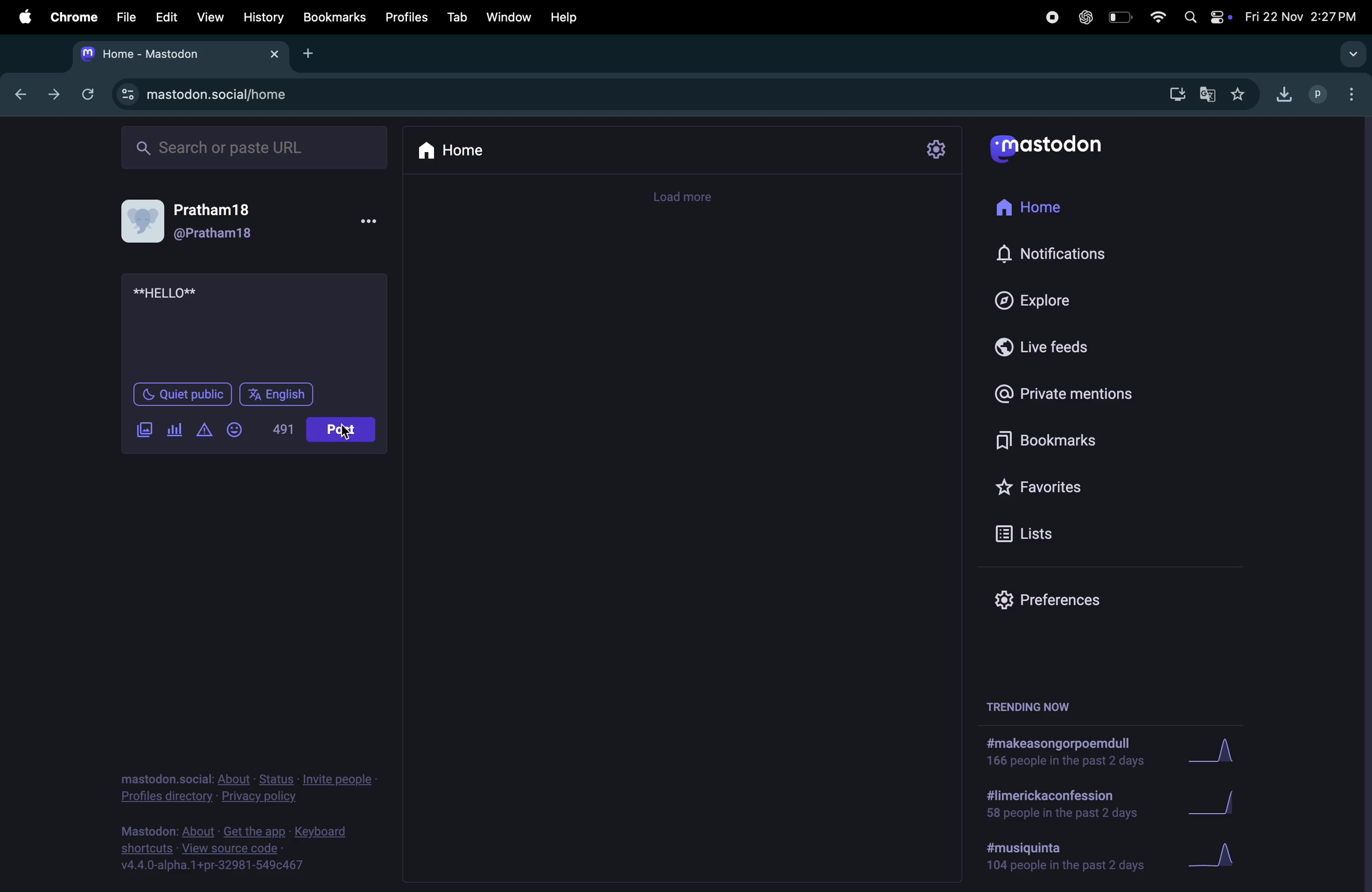 The height and width of the screenshot is (892, 1372). Describe the element at coordinates (232, 849) in the screenshot. I see `source code` at that location.